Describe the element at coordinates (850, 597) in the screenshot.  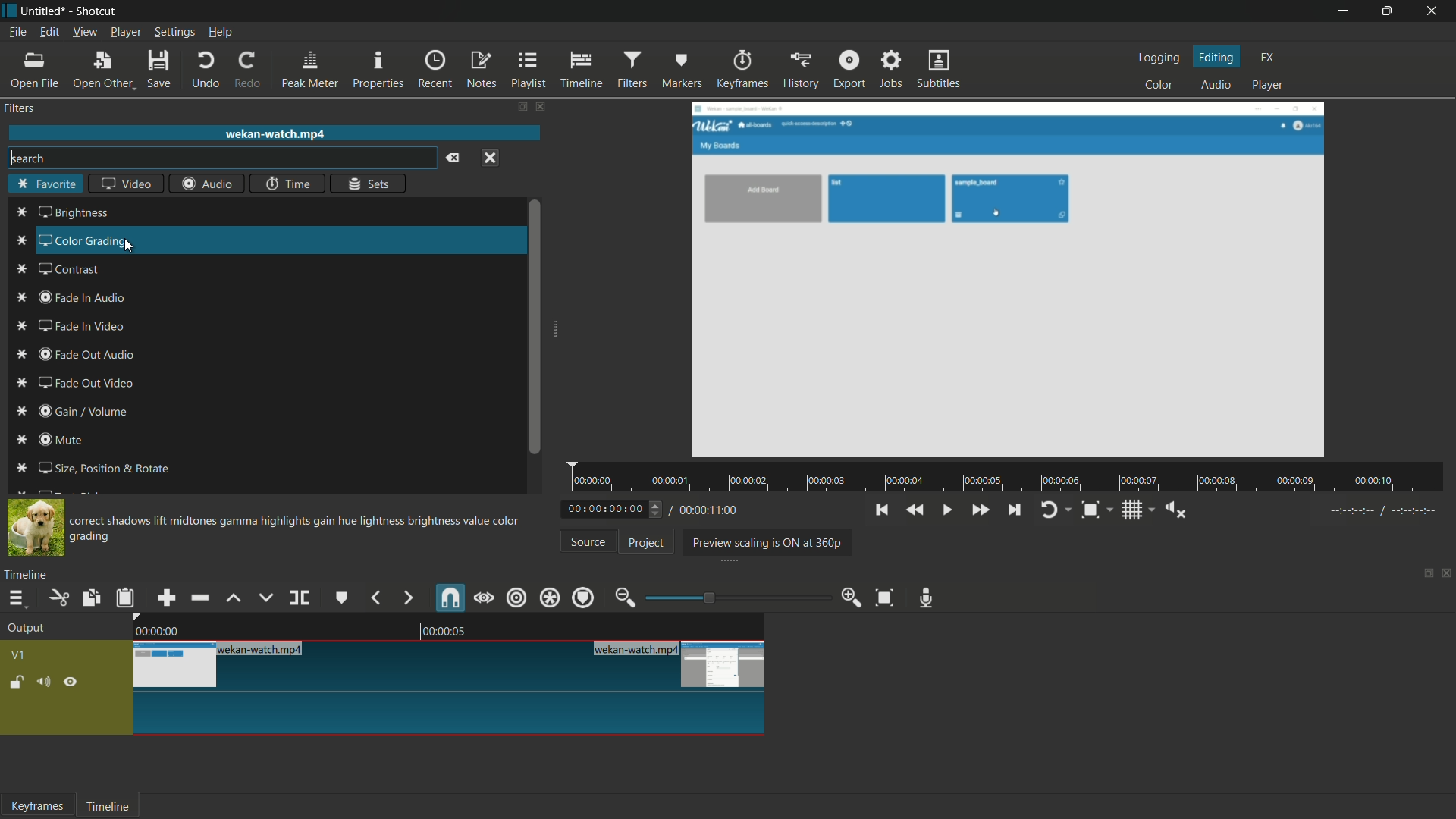
I see `zoom in` at that location.